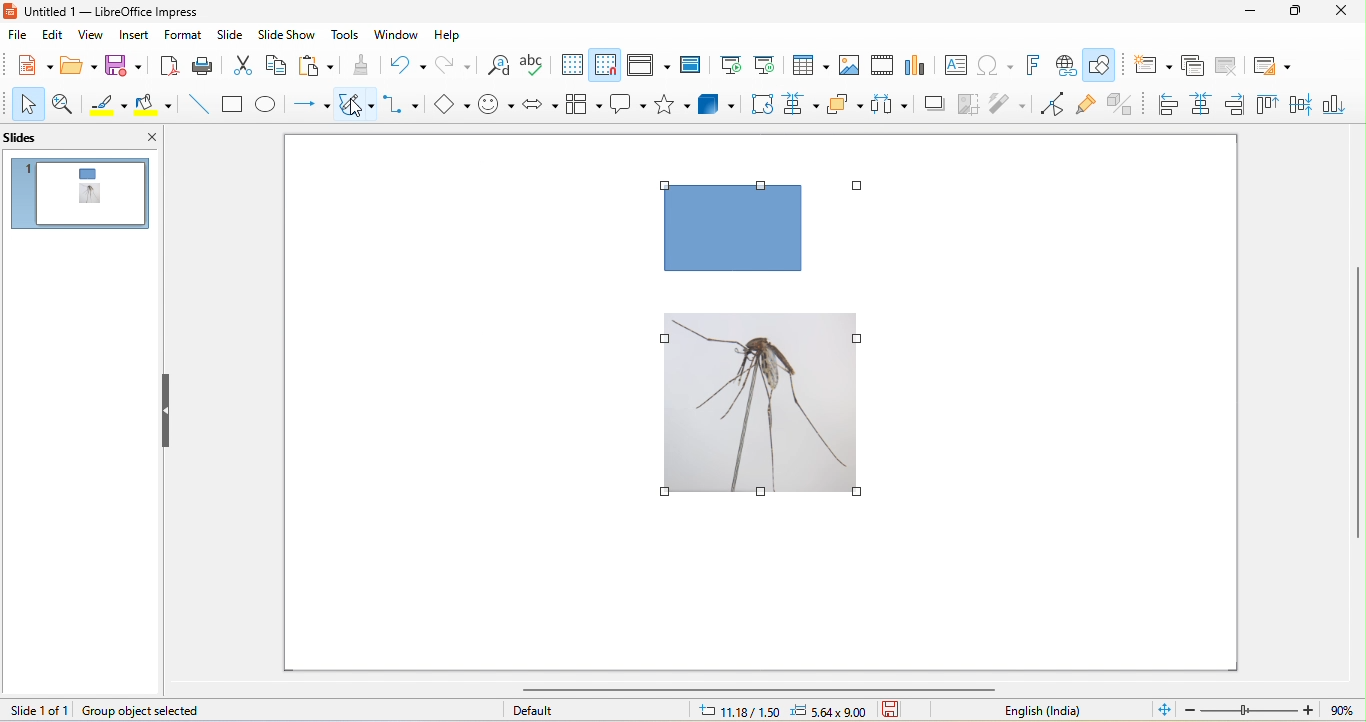 The width and height of the screenshot is (1366, 722). What do you see at coordinates (609, 65) in the screenshot?
I see `snap to grid` at bounding box center [609, 65].